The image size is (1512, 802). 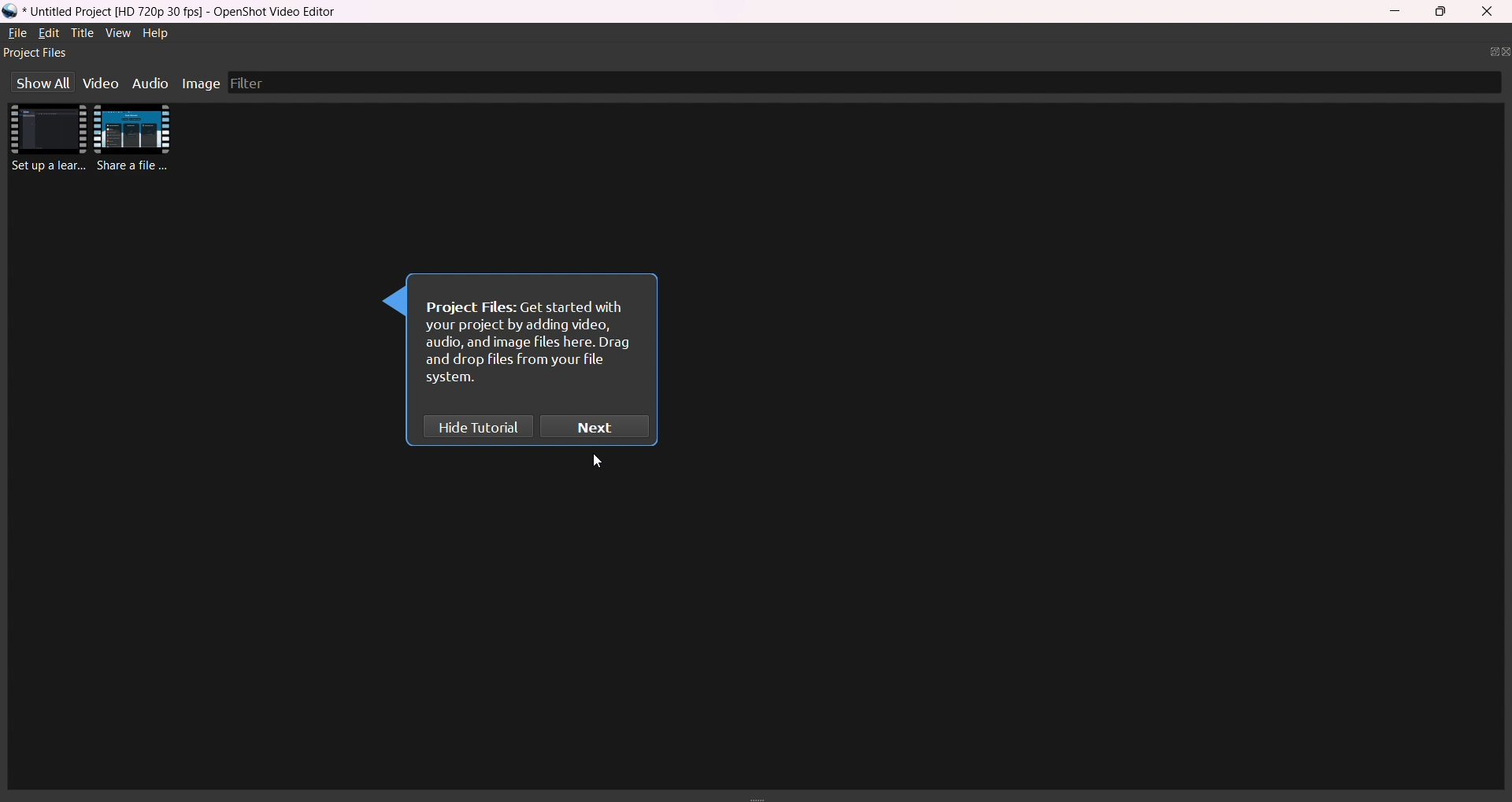 What do you see at coordinates (117, 35) in the screenshot?
I see `view` at bounding box center [117, 35].